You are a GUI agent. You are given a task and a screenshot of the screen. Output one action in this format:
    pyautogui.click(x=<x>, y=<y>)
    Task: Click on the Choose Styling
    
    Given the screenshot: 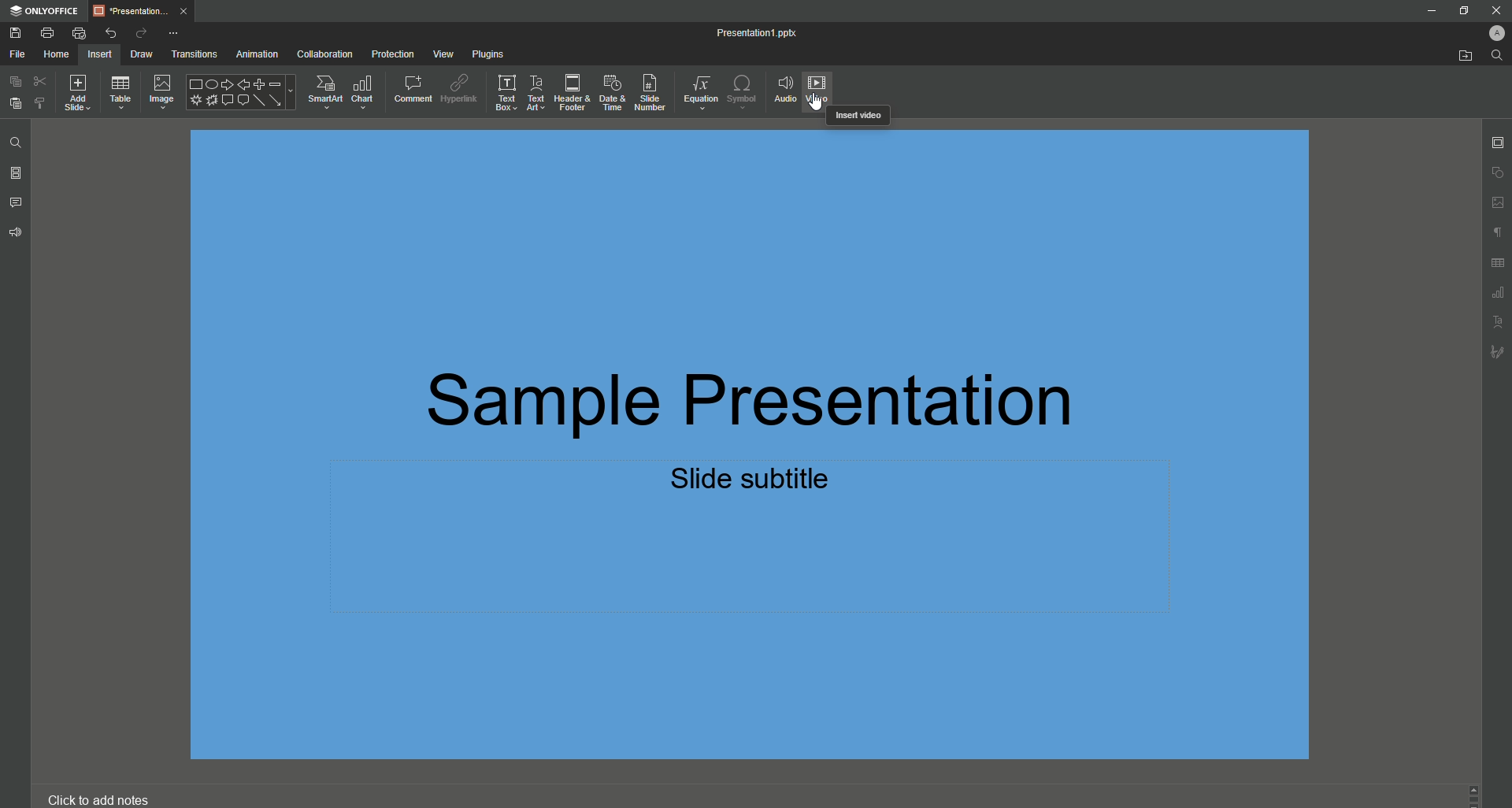 What is the action you would take?
    pyautogui.click(x=41, y=105)
    